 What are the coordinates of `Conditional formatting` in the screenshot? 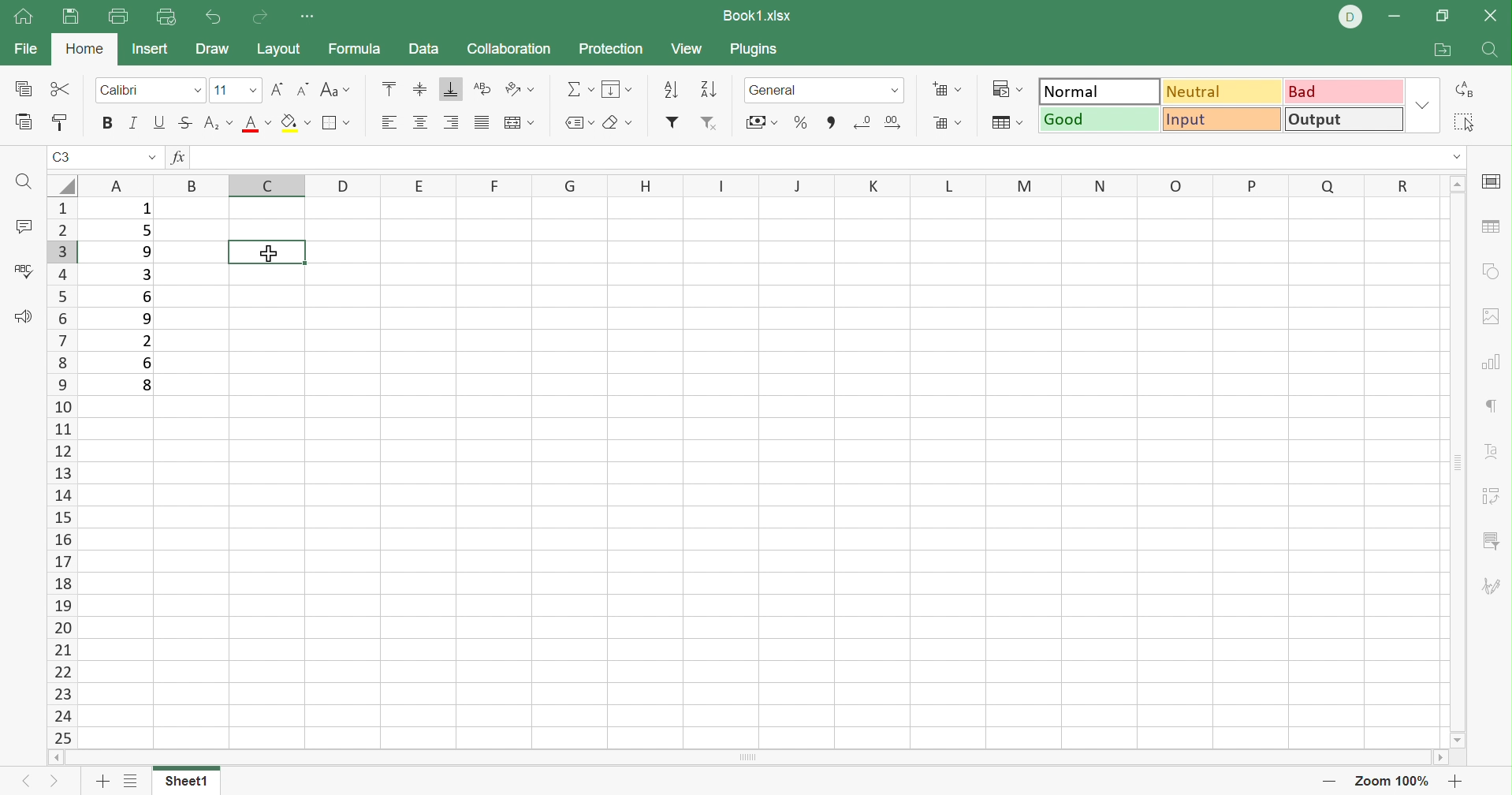 It's located at (1004, 89).